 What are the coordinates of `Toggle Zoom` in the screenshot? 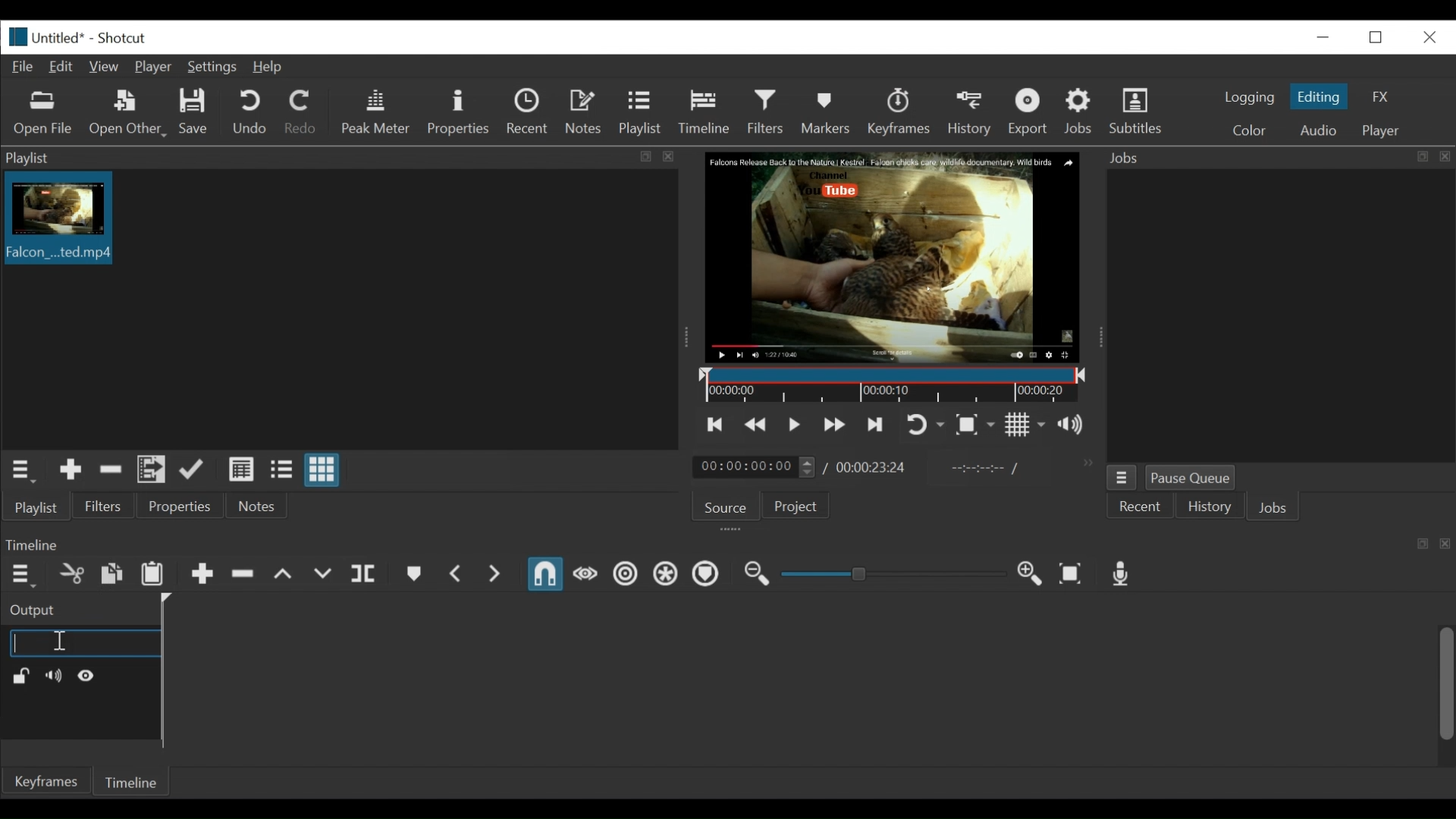 It's located at (924, 424).